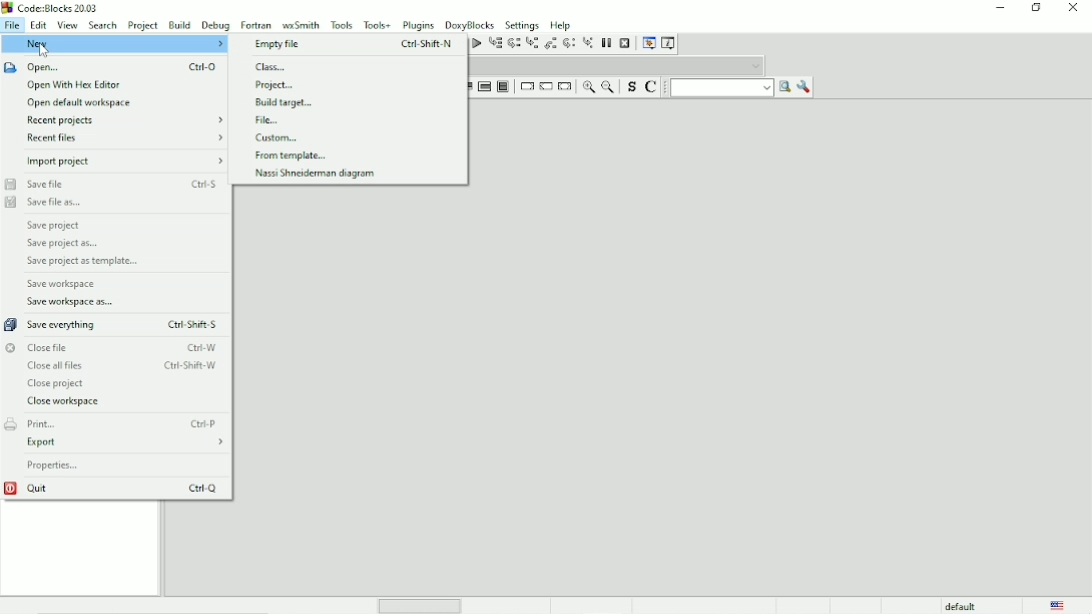 This screenshot has width=1092, height=614. What do you see at coordinates (341, 24) in the screenshot?
I see `Tools` at bounding box center [341, 24].